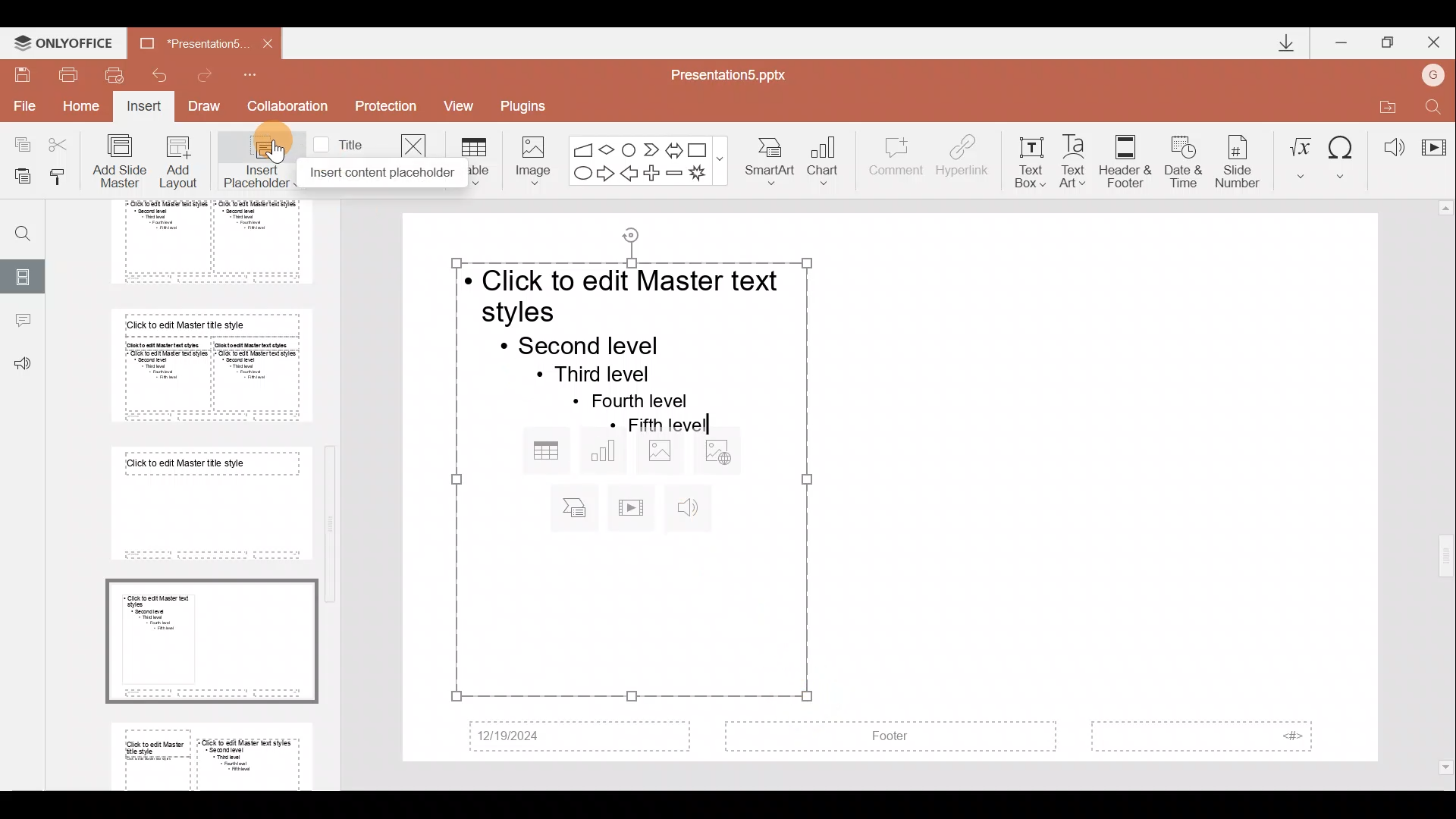  Describe the element at coordinates (114, 76) in the screenshot. I see `Quick print` at that location.